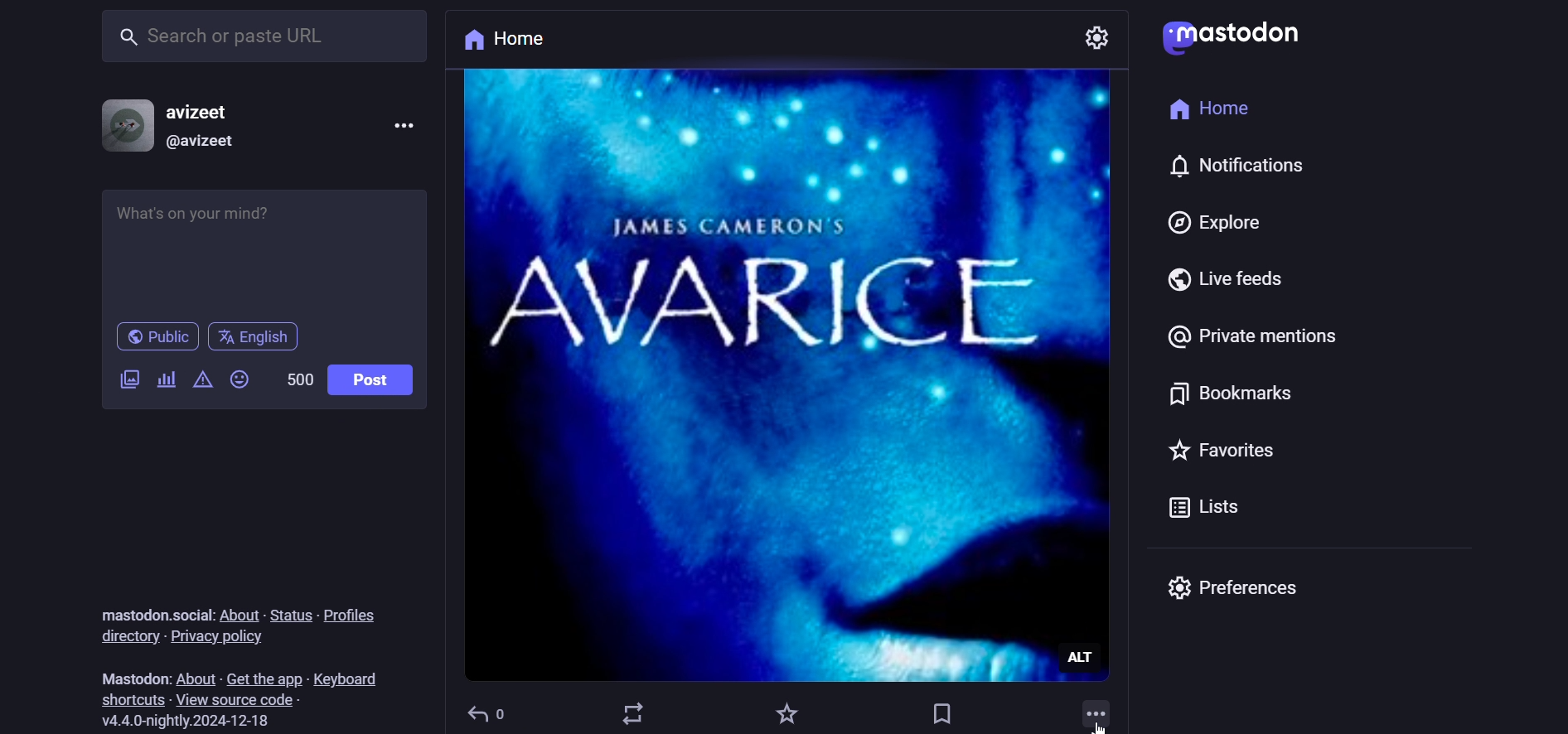 This screenshot has height=734, width=1568. Describe the element at coordinates (151, 612) in the screenshot. I see `mastodon social` at that location.